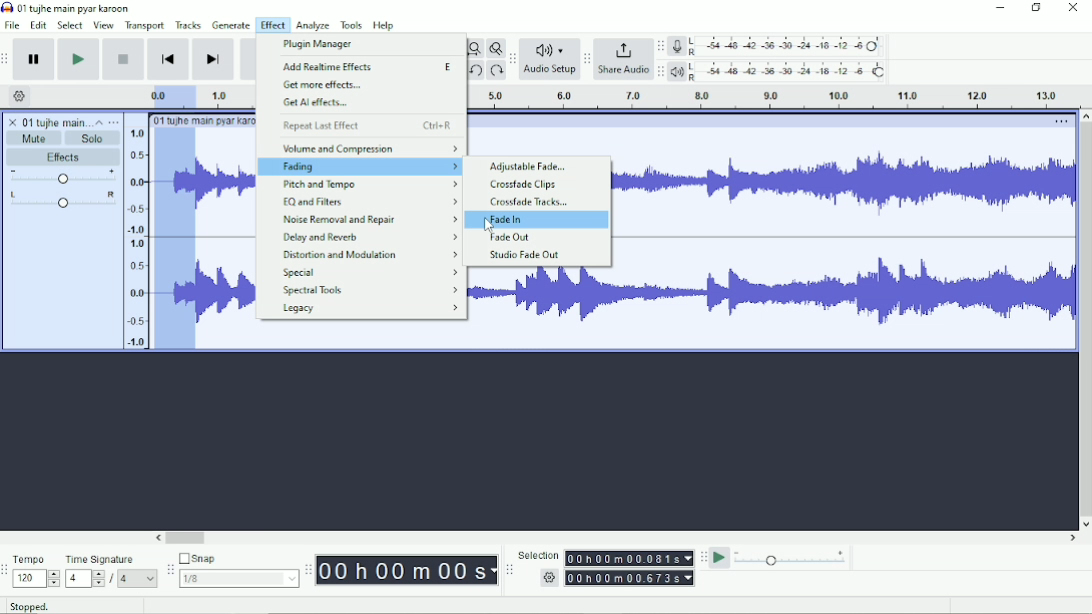 The height and width of the screenshot is (614, 1092). I want to click on Tempo Signature range, so click(84, 578).